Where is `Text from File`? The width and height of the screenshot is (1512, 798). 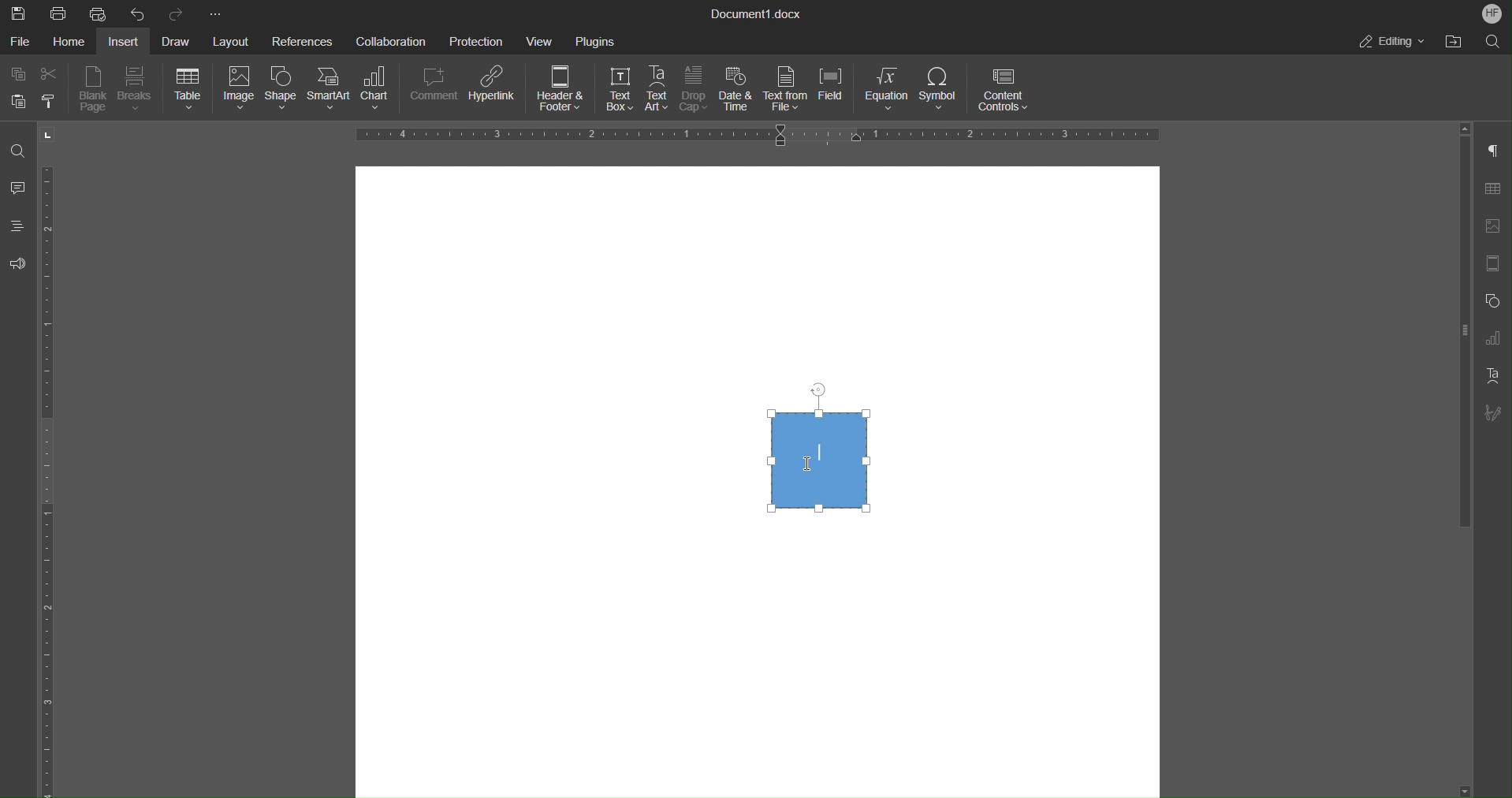
Text from File is located at coordinates (787, 90).